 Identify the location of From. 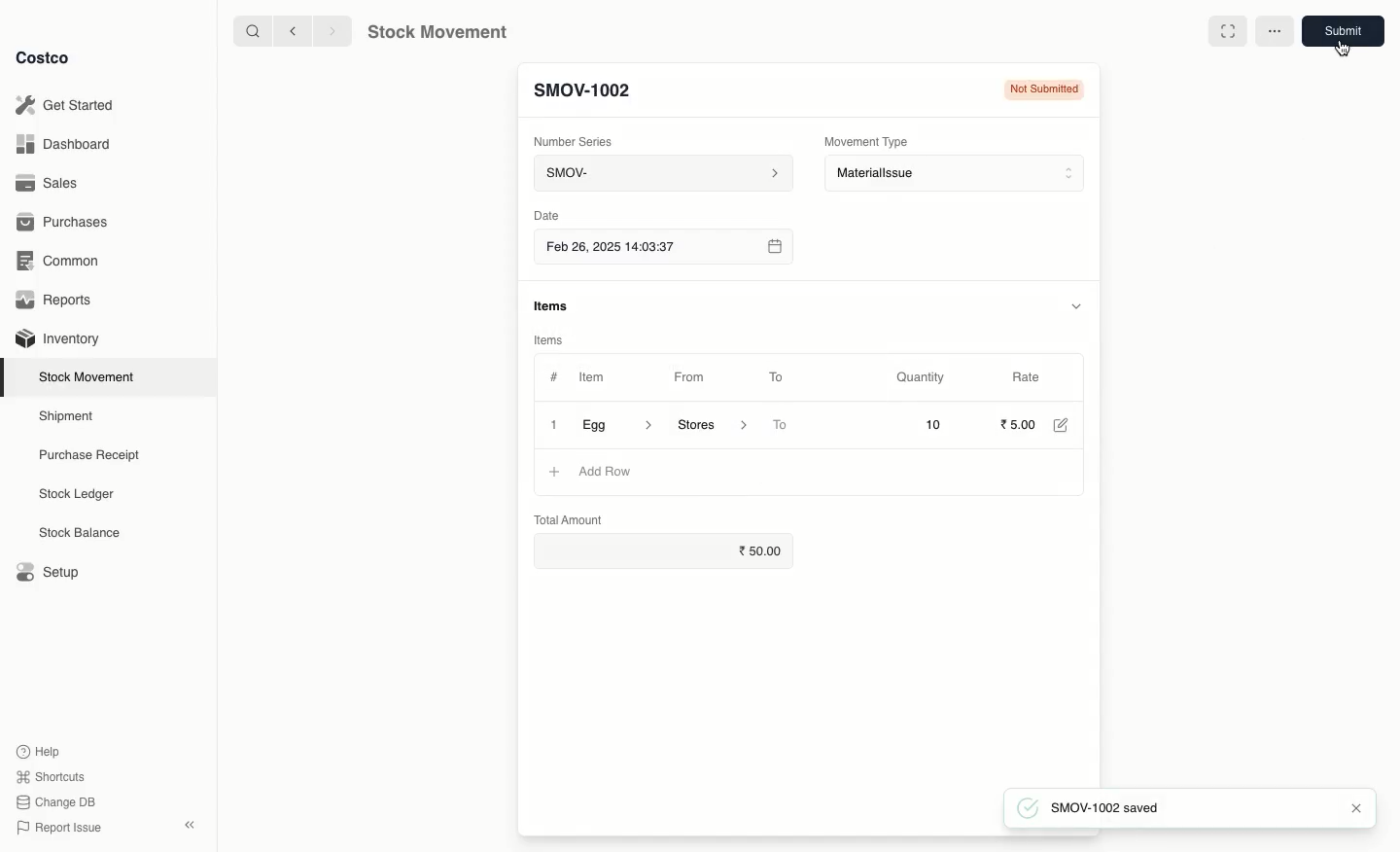
(696, 380).